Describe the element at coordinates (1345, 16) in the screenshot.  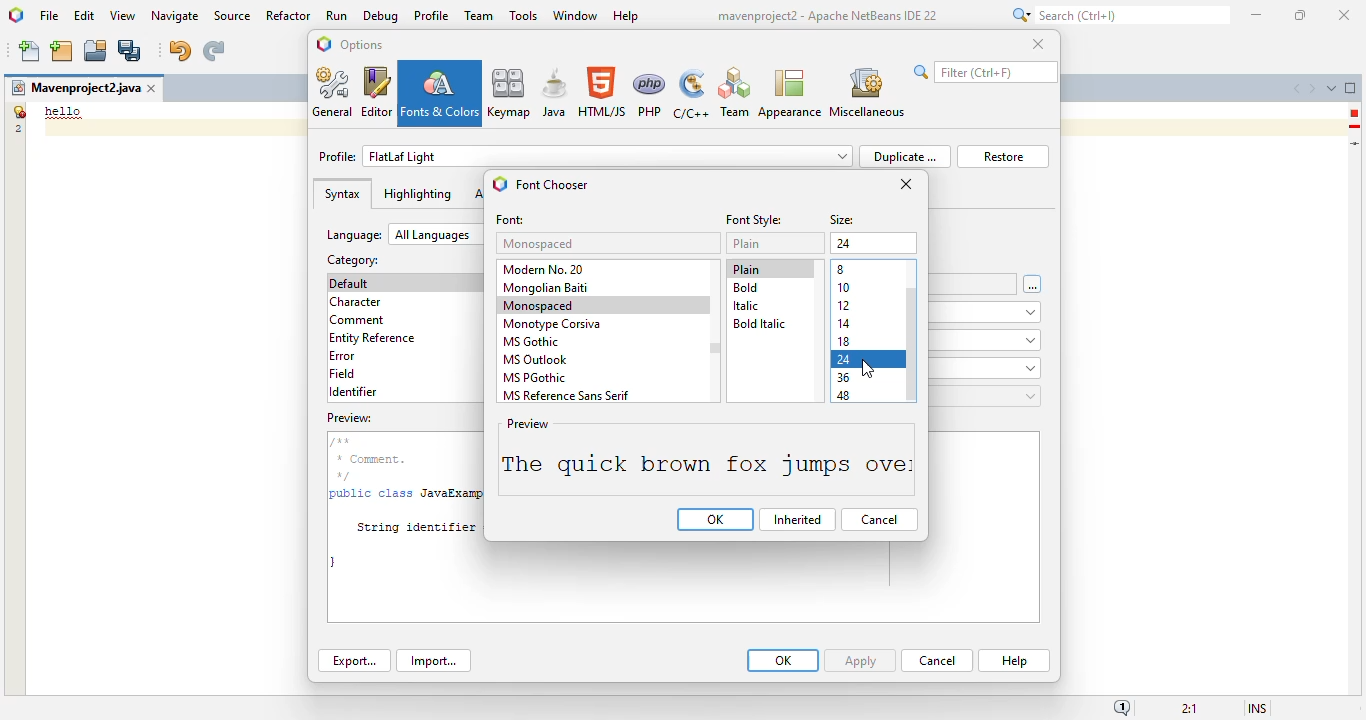
I see `close` at that location.